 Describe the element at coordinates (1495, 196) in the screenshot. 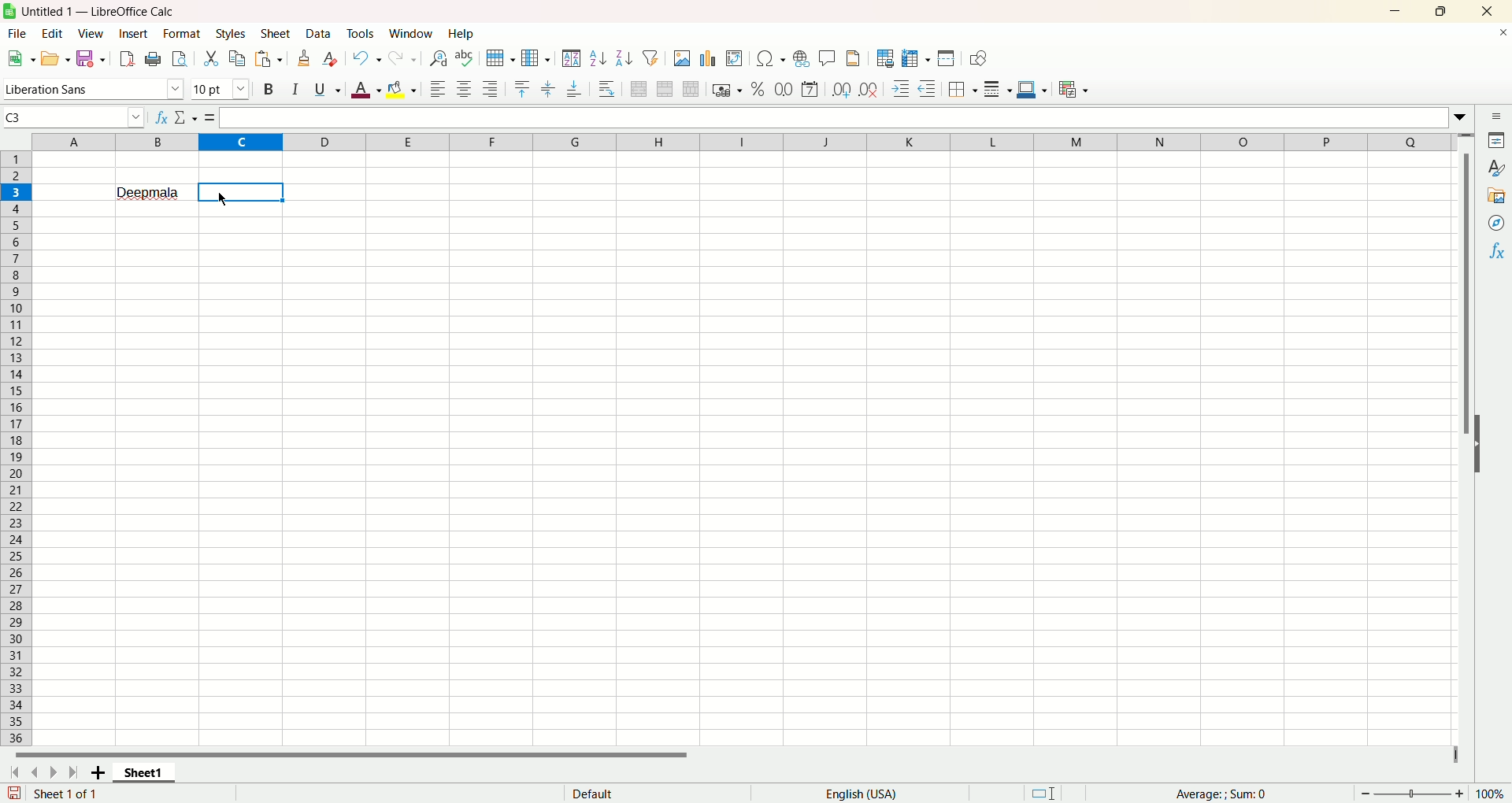

I see `Gallery` at that location.